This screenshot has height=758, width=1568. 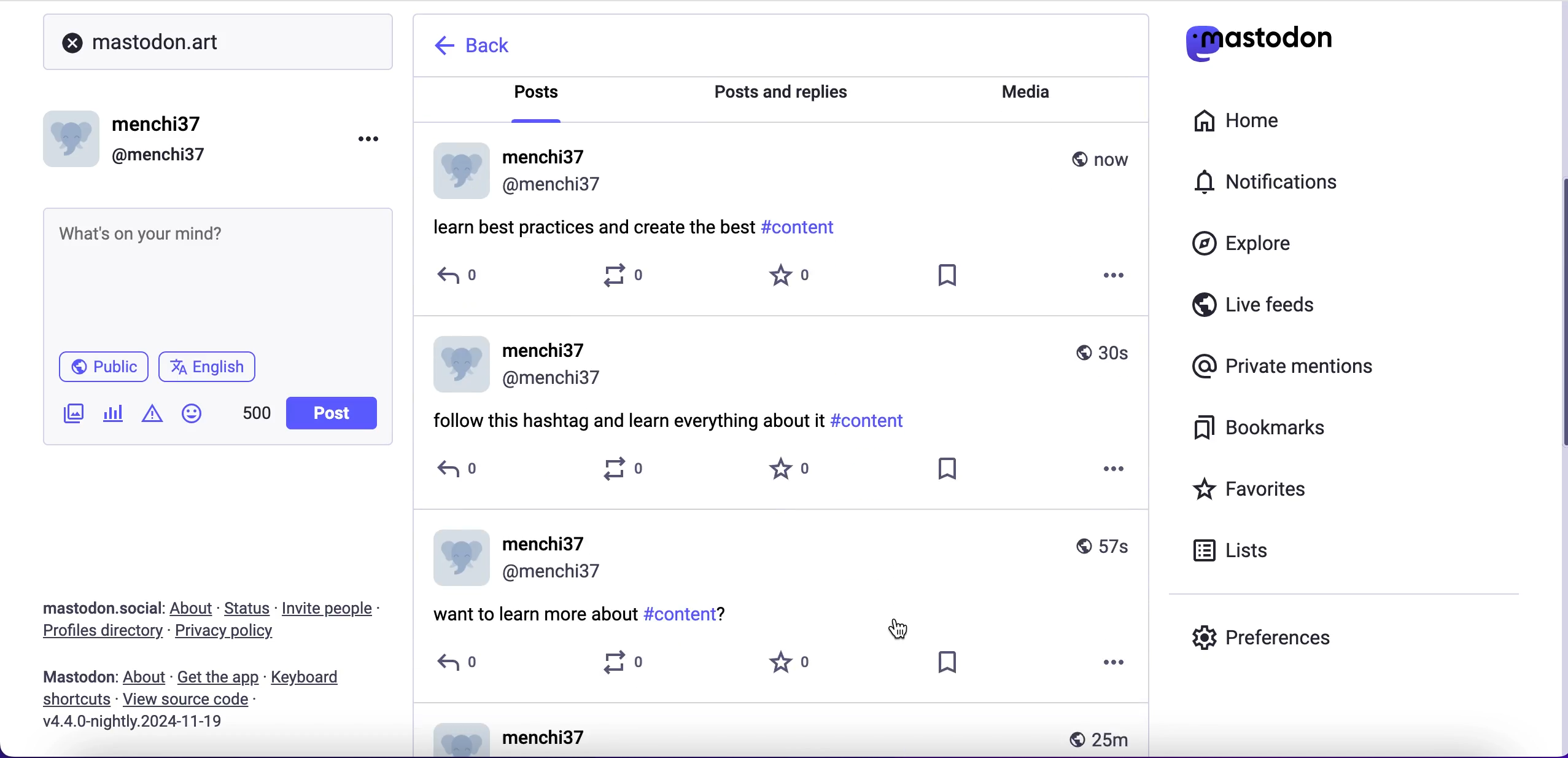 What do you see at coordinates (636, 666) in the screenshot?
I see `0 boosts` at bounding box center [636, 666].